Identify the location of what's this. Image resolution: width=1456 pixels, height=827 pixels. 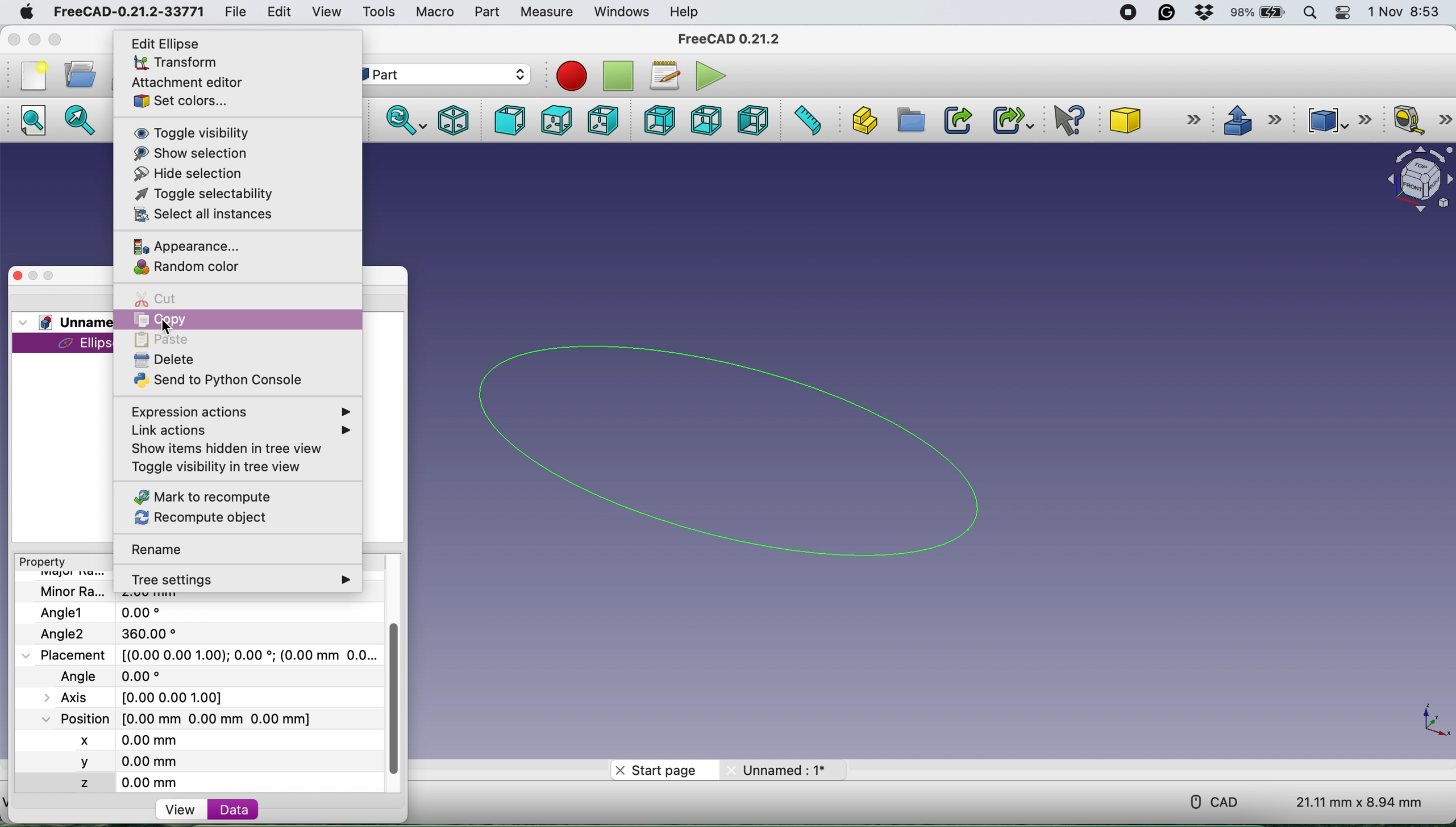
(1072, 121).